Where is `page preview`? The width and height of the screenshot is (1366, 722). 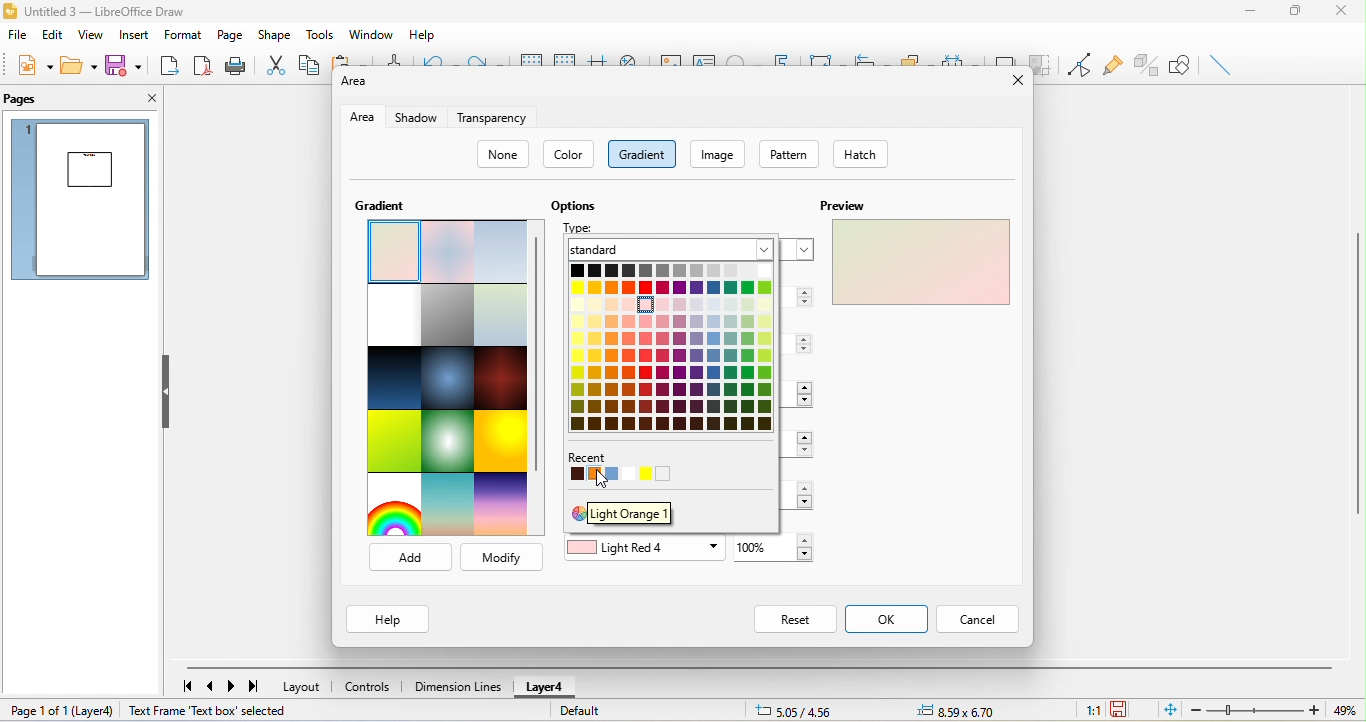 page preview is located at coordinates (78, 201).